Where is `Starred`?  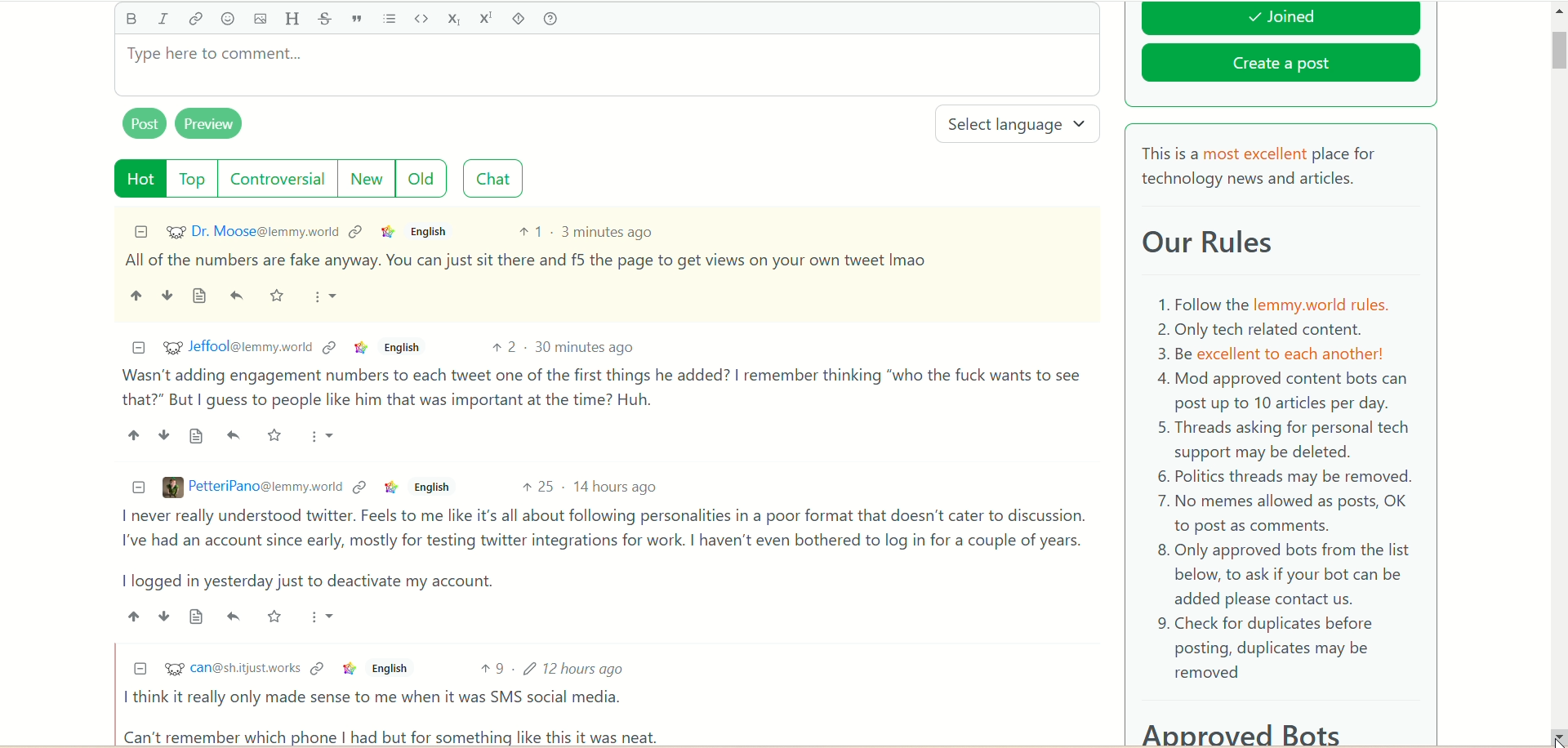 Starred is located at coordinates (276, 616).